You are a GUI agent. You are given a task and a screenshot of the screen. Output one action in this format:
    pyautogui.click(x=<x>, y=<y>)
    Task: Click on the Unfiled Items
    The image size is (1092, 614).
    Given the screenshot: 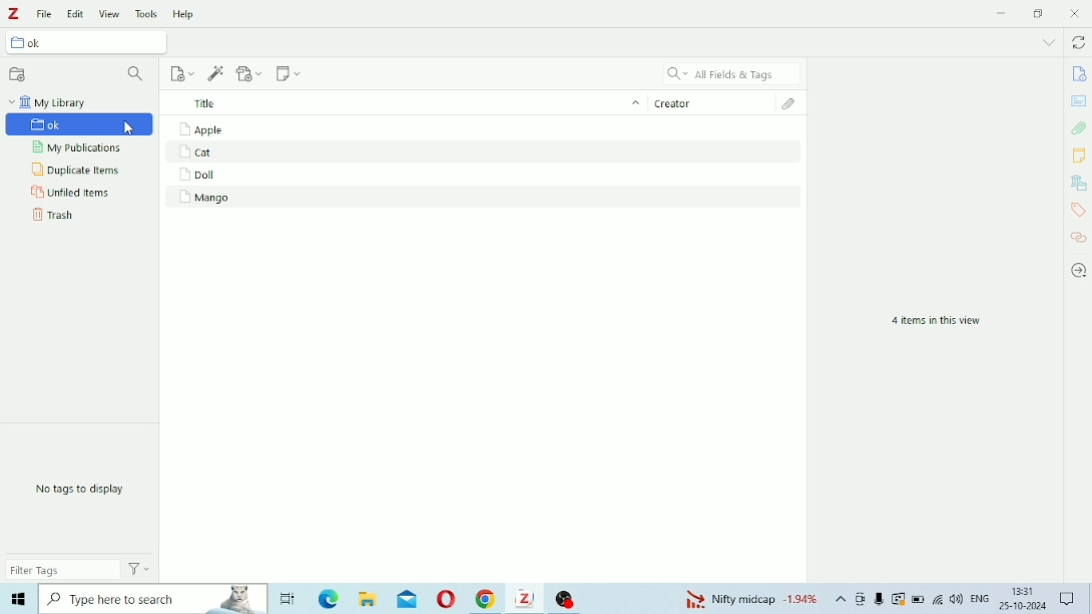 What is the action you would take?
    pyautogui.click(x=72, y=193)
    